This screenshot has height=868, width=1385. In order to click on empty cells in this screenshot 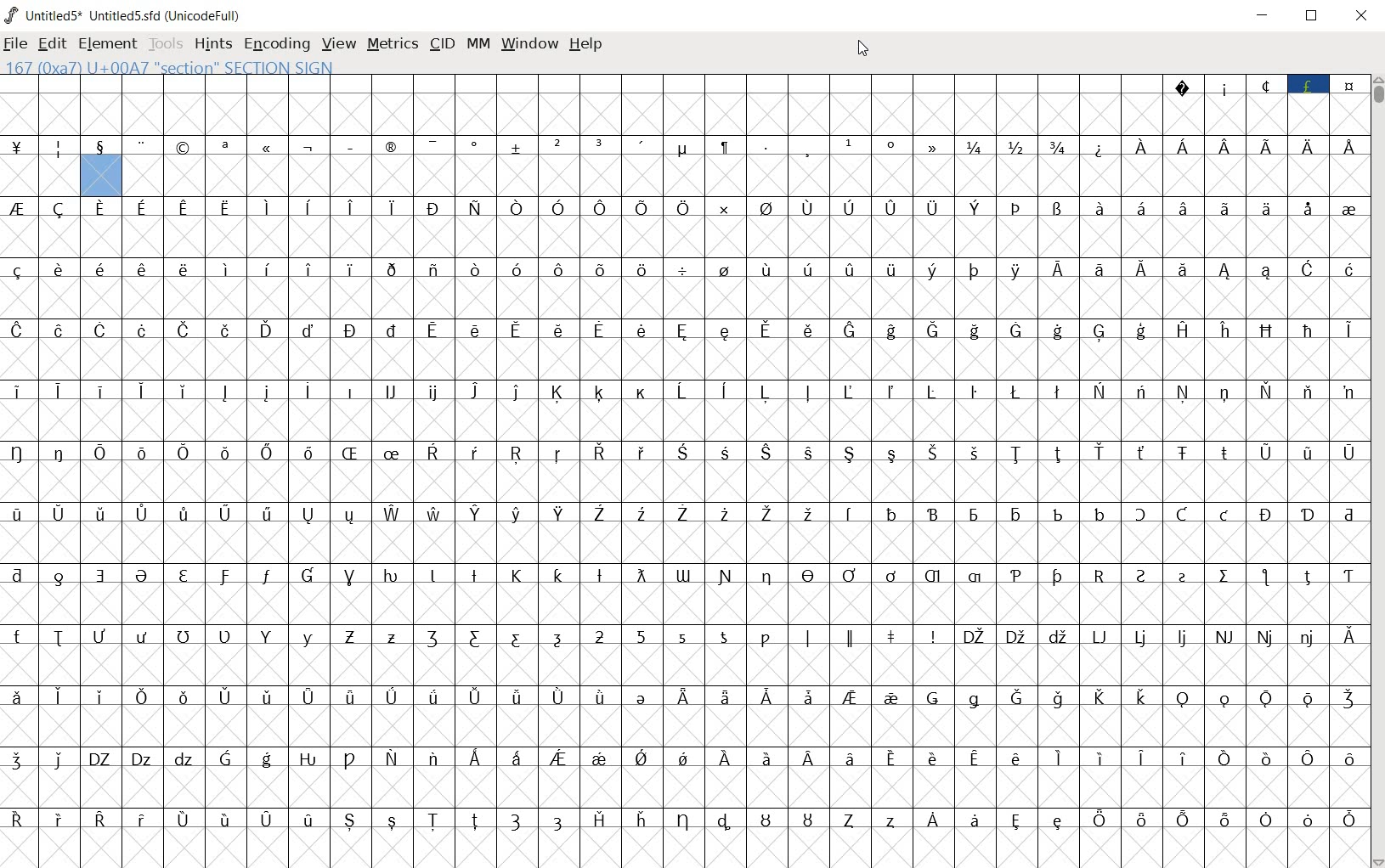, I will do `click(686, 786)`.